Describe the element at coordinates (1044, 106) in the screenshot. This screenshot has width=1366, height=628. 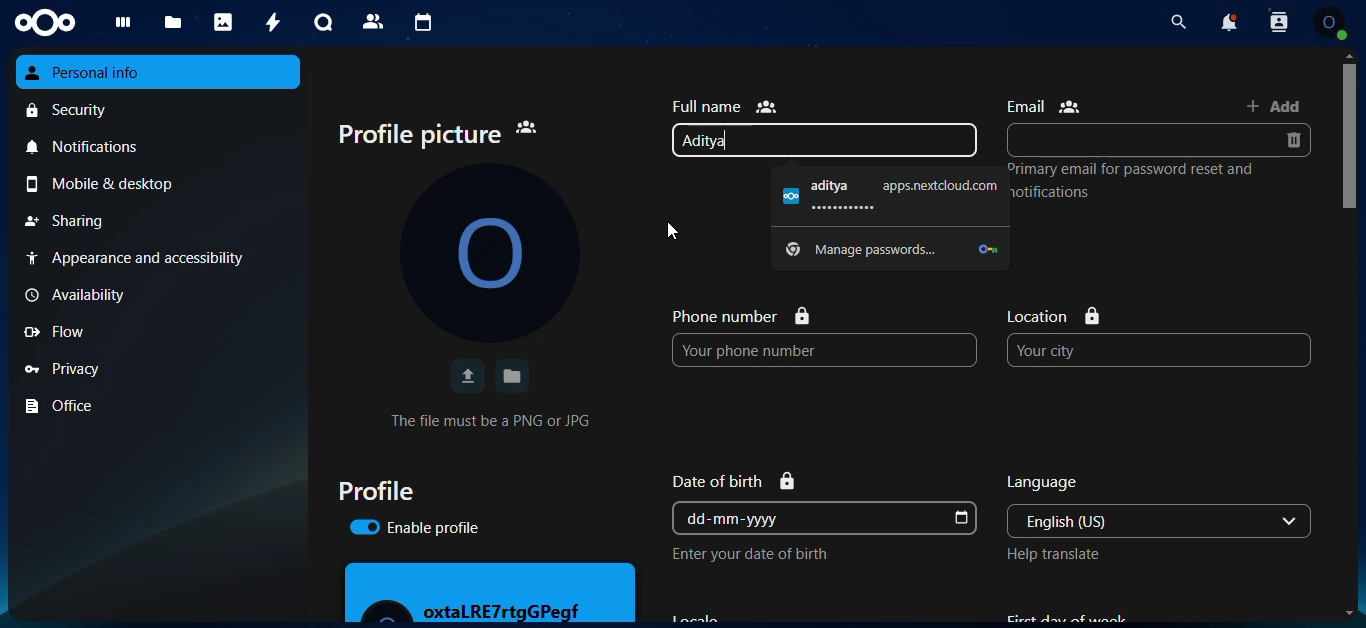
I see `email` at that location.